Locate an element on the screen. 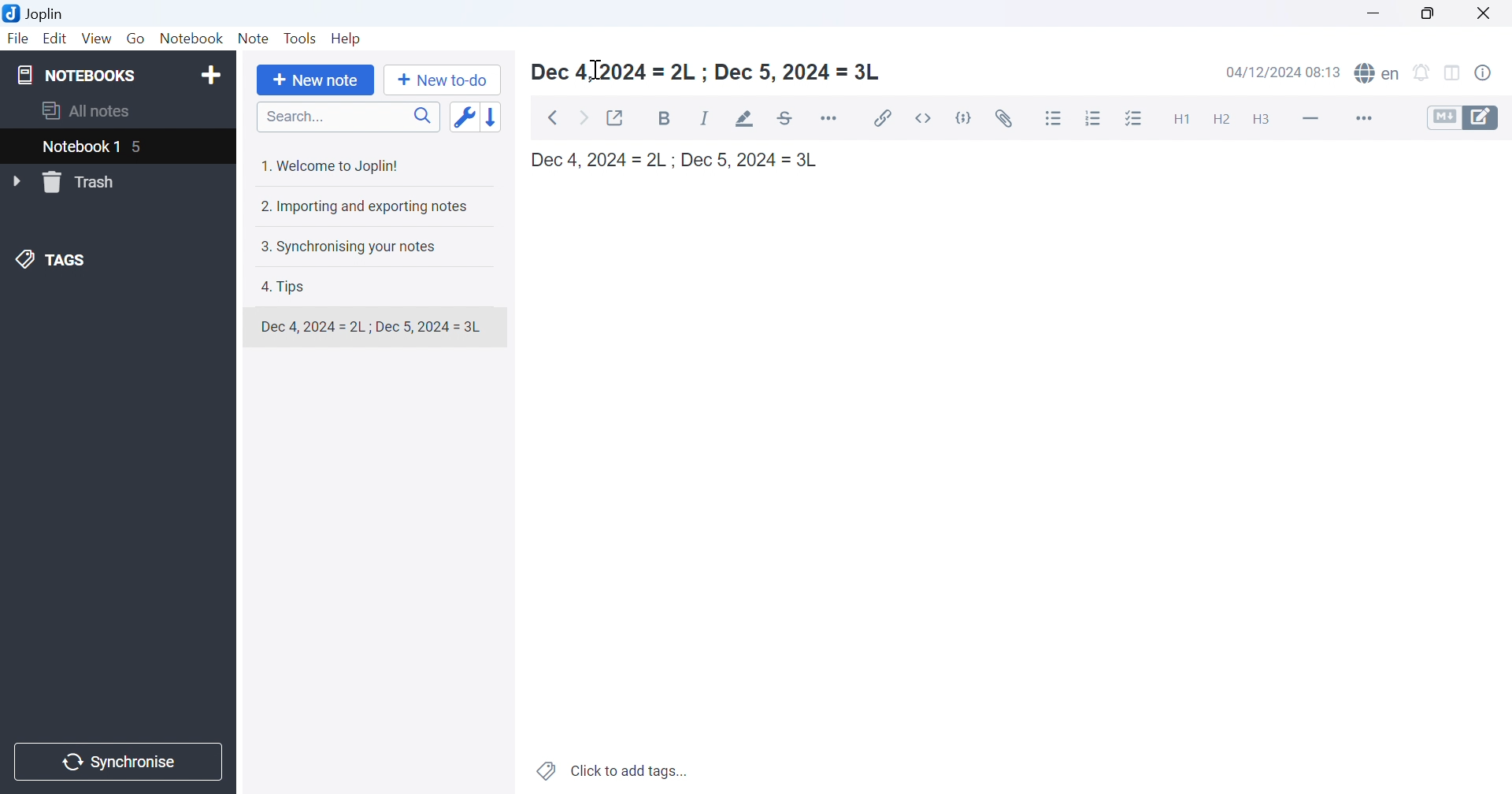  Back is located at coordinates (551, 118).